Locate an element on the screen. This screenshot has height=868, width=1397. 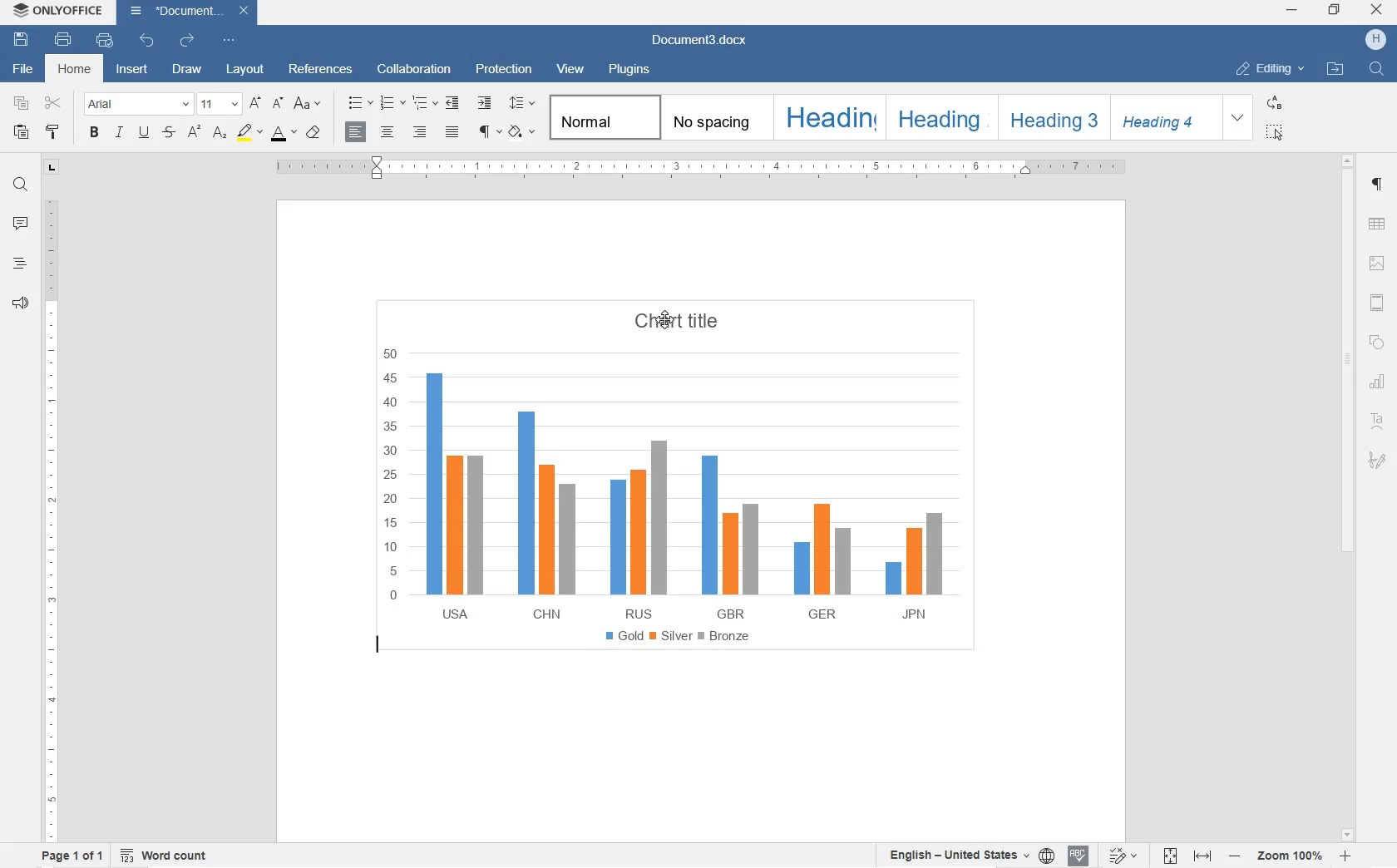
cursor is located at coordinates (667, 319).